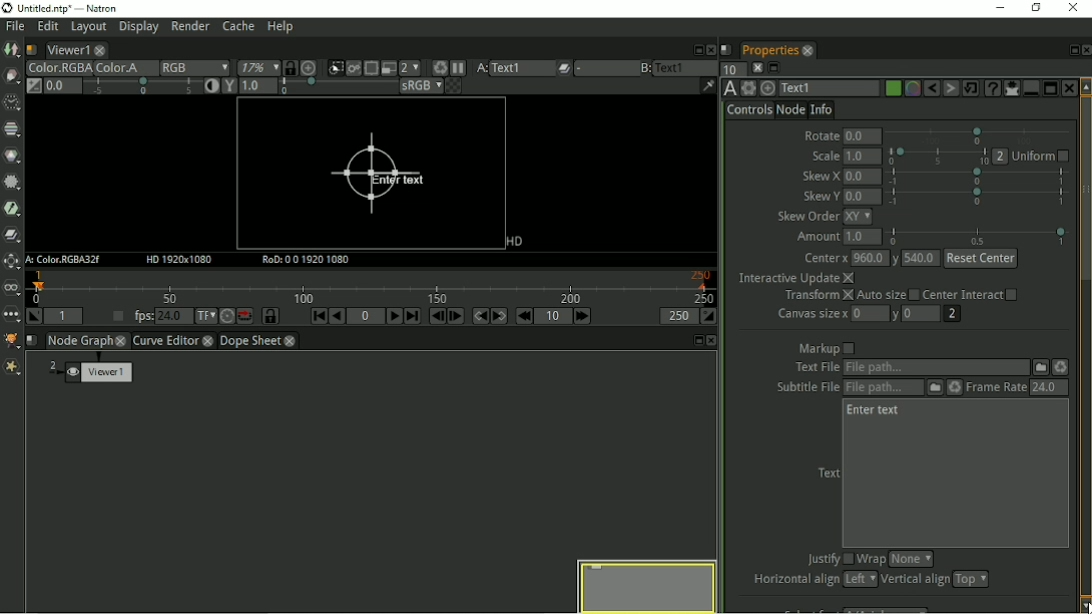 This screenshot has width=1092, height=614. Describe the element at coordinates (307, 260) in the screenshot. I see `RoD` at that location.